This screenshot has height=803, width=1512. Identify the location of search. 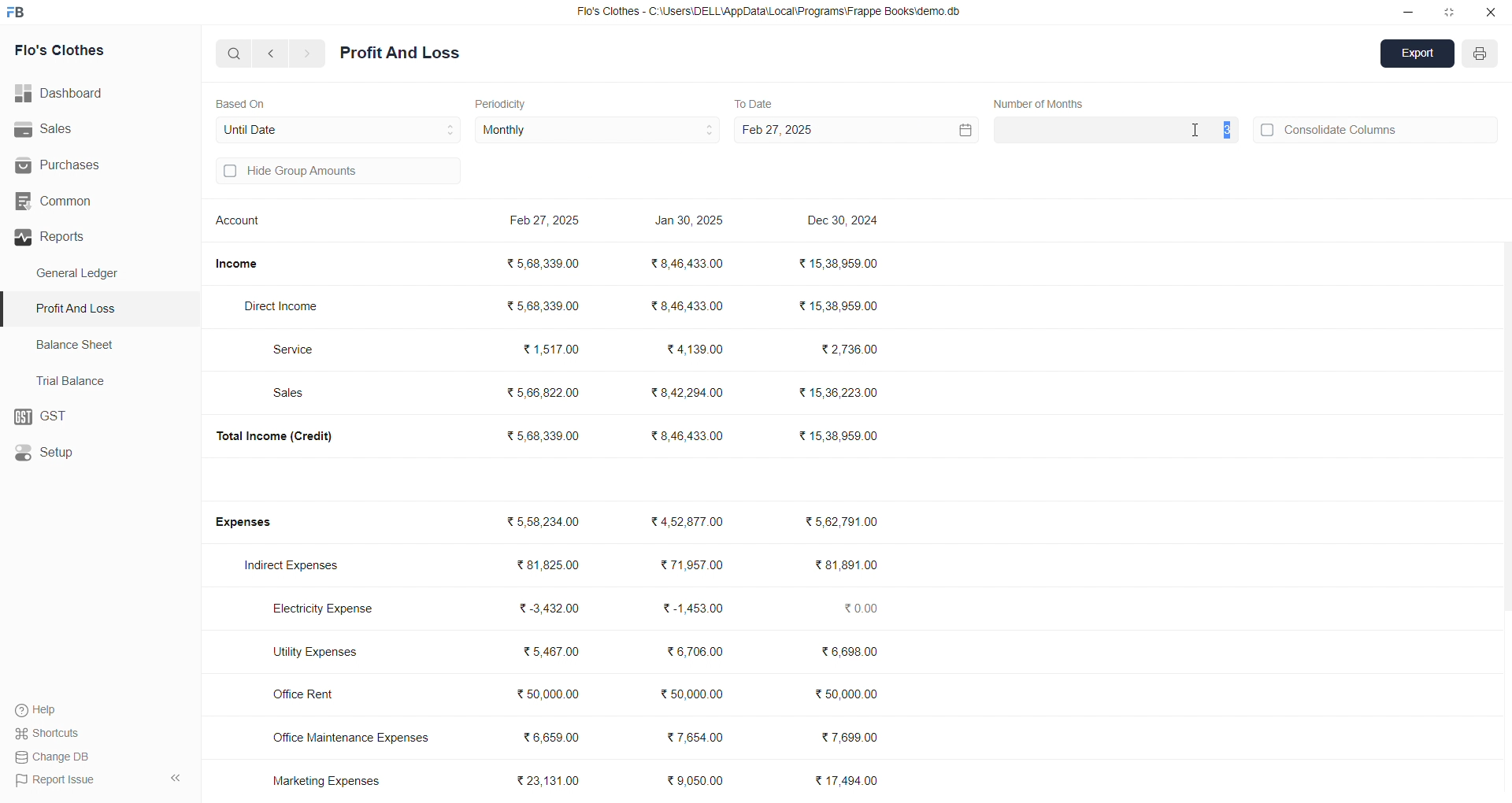
(235, 53).